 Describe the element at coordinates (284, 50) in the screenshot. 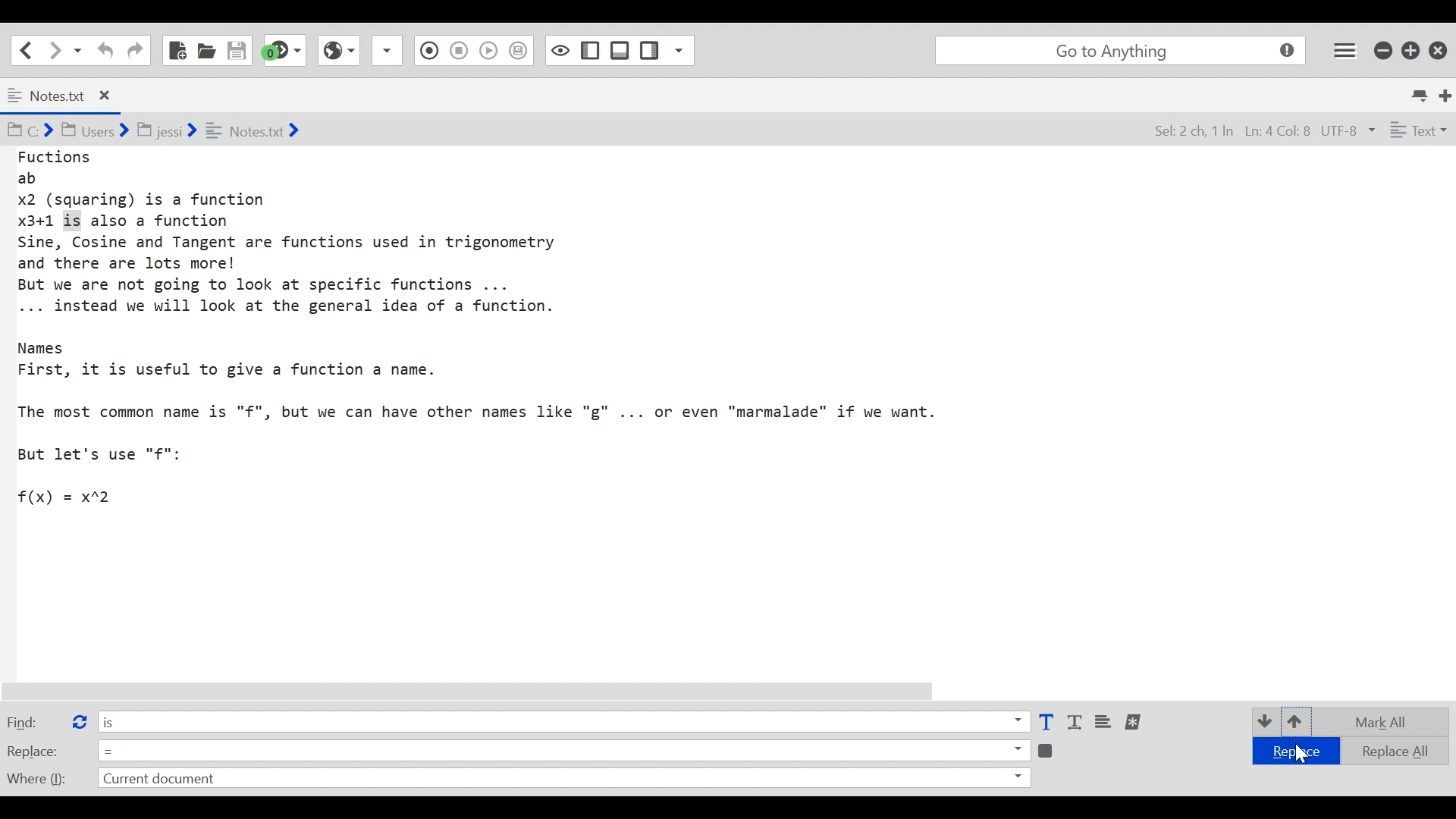

I see `Jump to next syntax checking result` at that location.